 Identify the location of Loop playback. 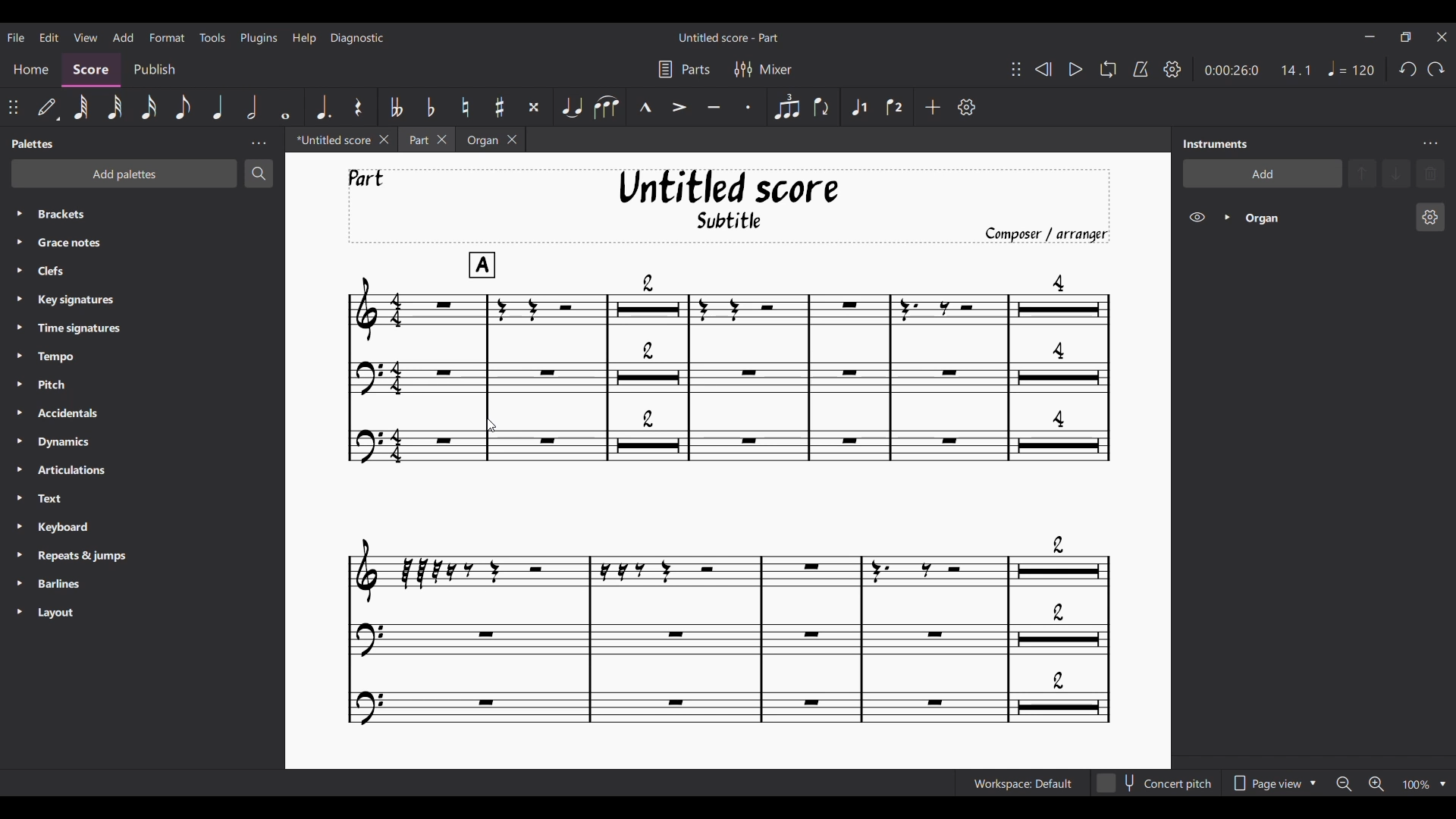
(1108, 69).